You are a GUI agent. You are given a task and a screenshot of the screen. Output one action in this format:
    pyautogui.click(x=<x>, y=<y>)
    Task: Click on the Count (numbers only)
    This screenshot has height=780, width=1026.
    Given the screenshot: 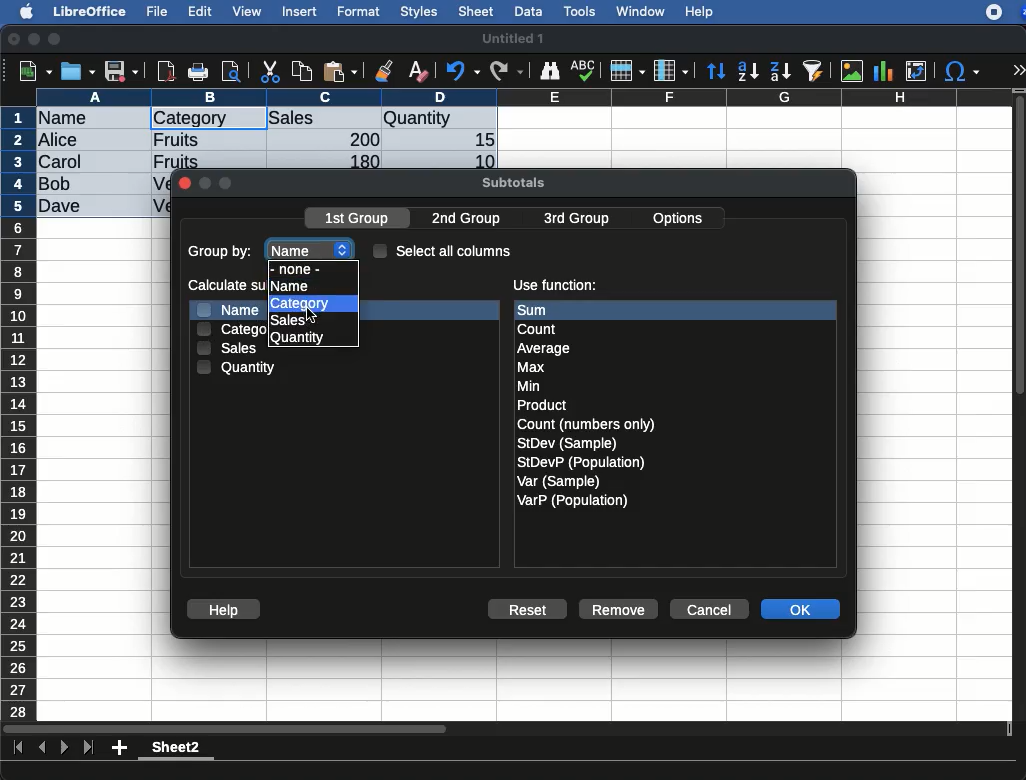 What is the action you would take?
    pyautogui.click(x=588, y=424)
    